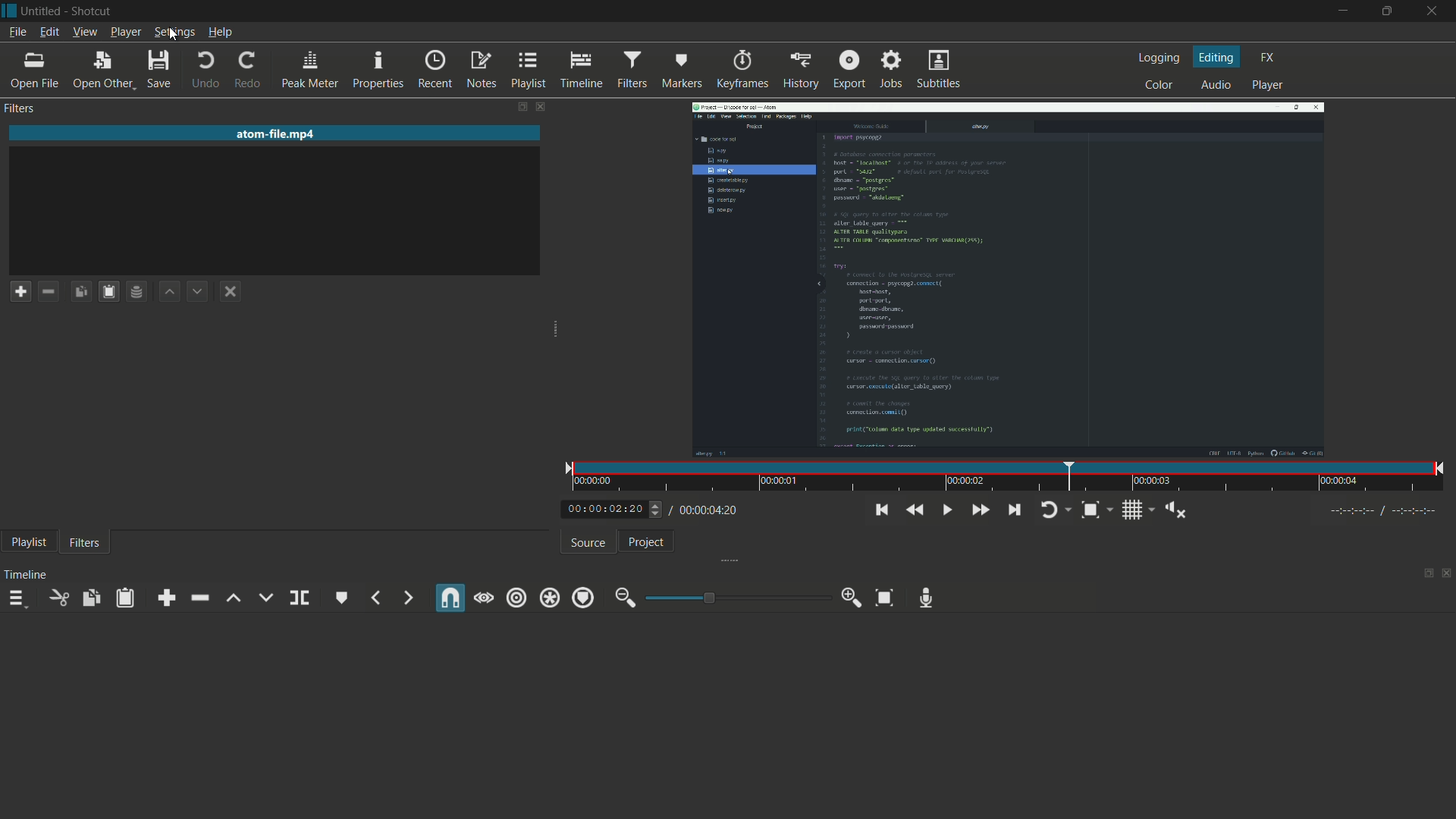 The image size is (1456, 819). I want to click on move filter down, so click(199, 291).